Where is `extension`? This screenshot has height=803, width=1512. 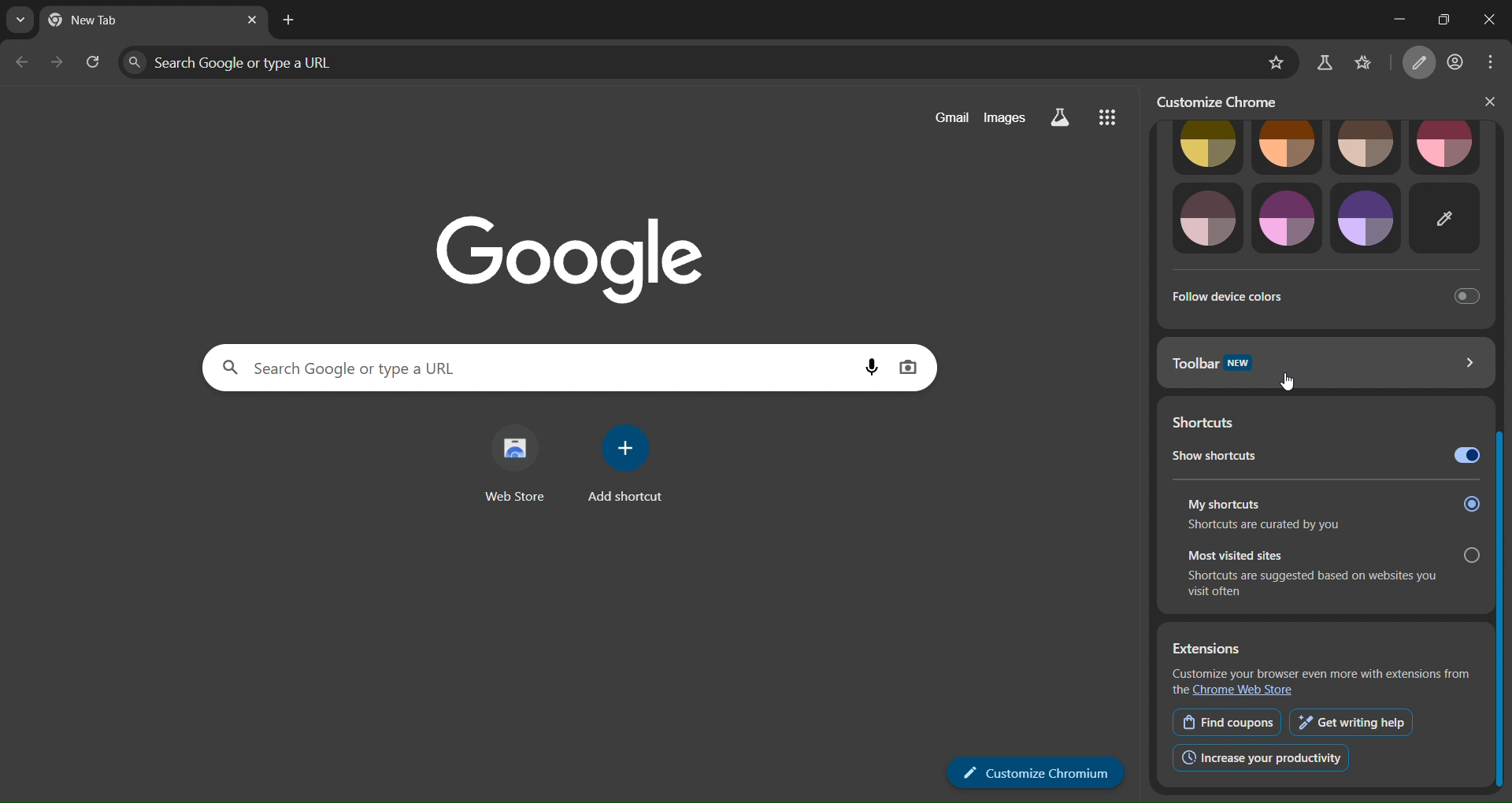
extension is located at coordinates (1323, 648).